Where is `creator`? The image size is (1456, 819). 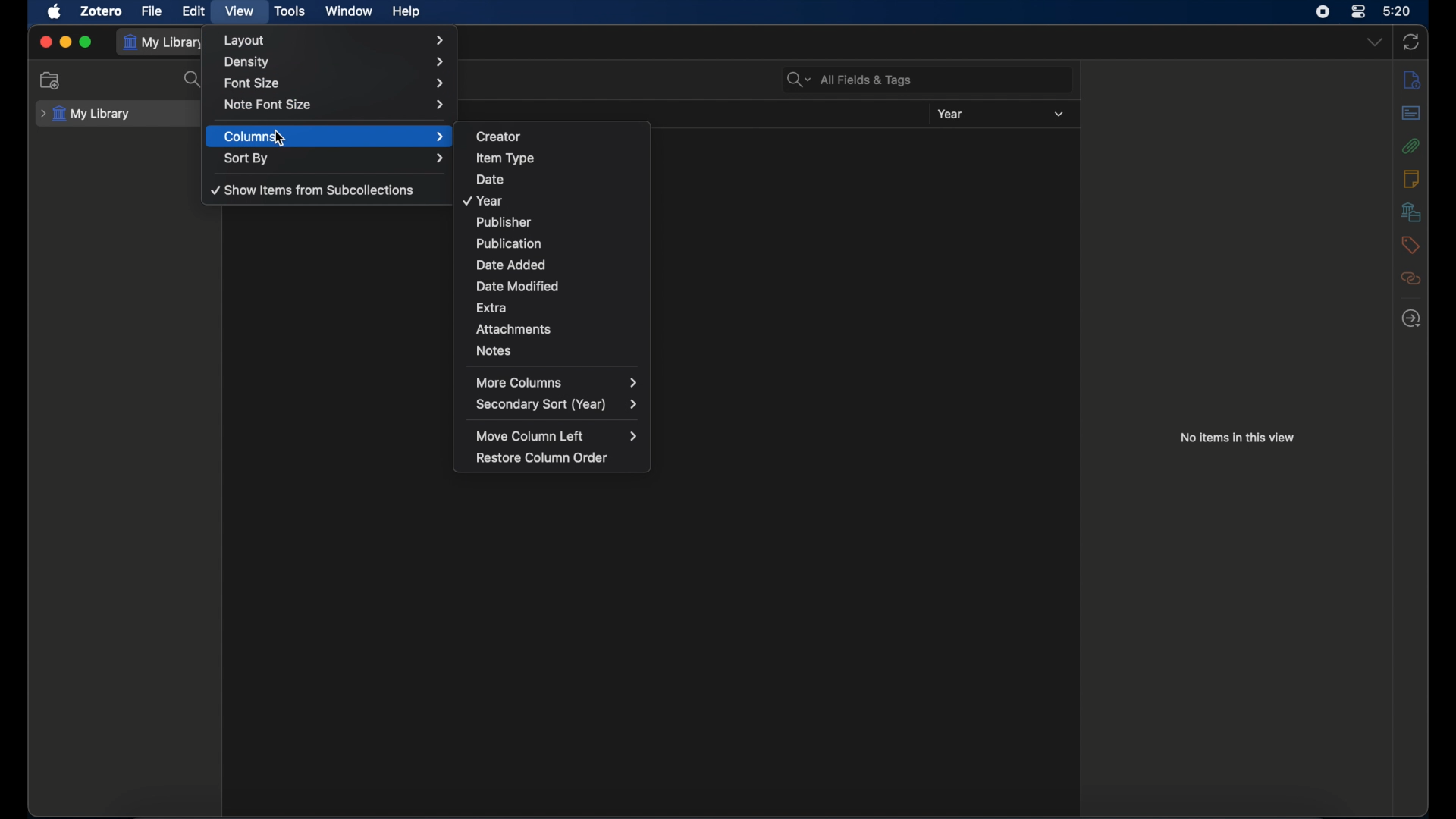
creator is located at coordinates (561, 134).